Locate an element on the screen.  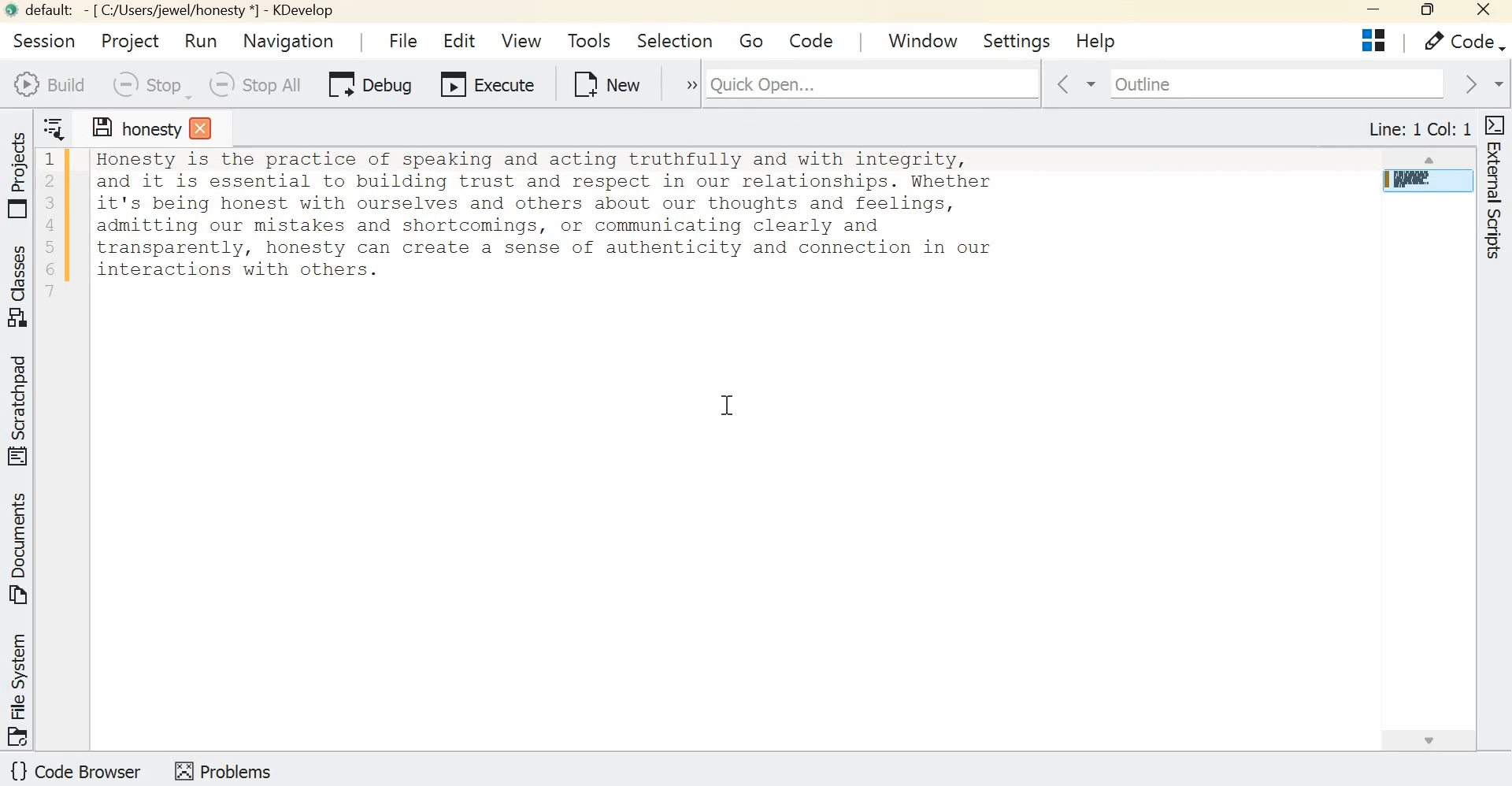
Toggle 'problems' tool view is located at coordinates (223, 769).